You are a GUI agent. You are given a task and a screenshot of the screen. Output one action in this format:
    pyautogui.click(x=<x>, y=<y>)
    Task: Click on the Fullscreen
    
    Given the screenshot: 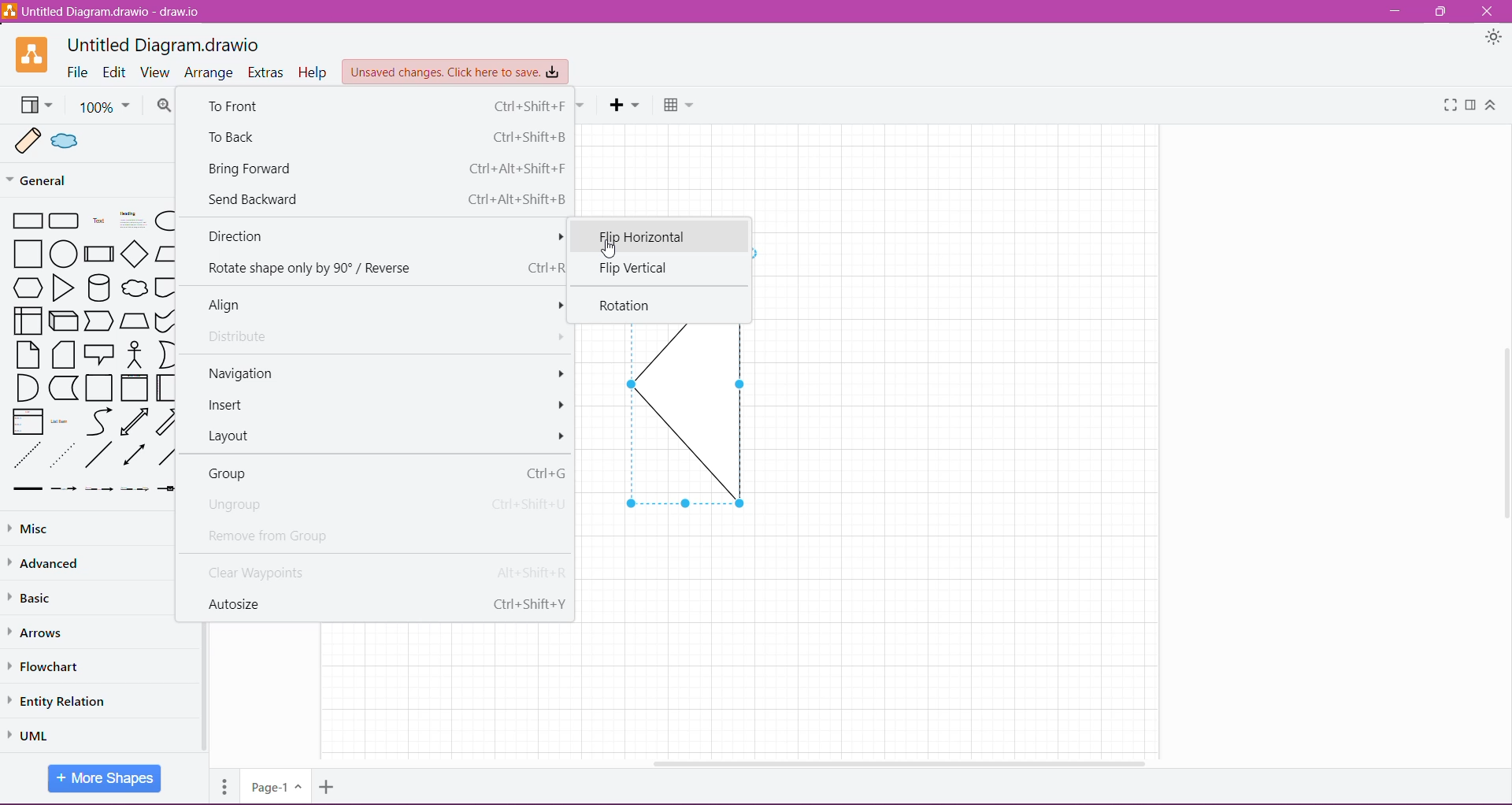 What is the action you would take?
    pyautogui.click(x=1447, y=106)
    